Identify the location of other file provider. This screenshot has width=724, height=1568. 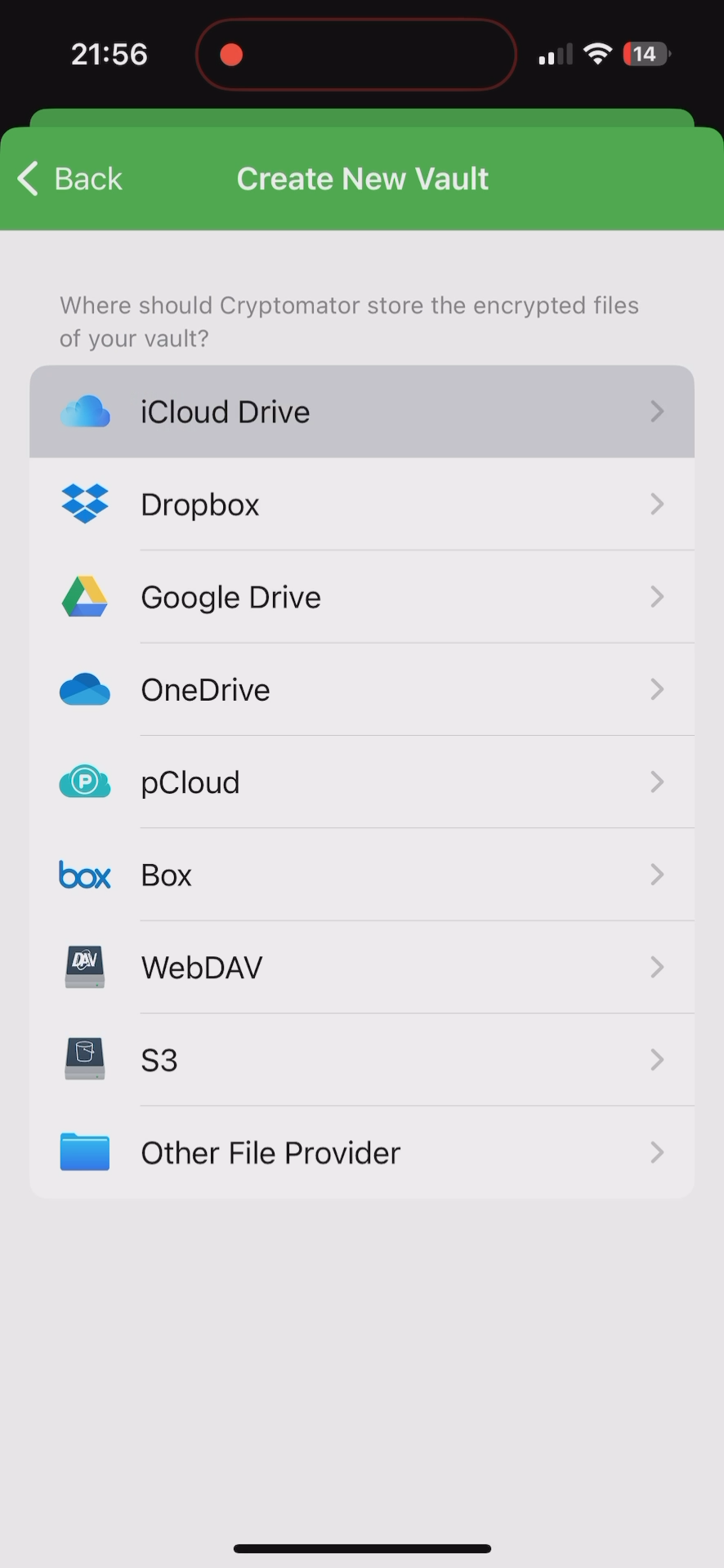
(362, 1154).